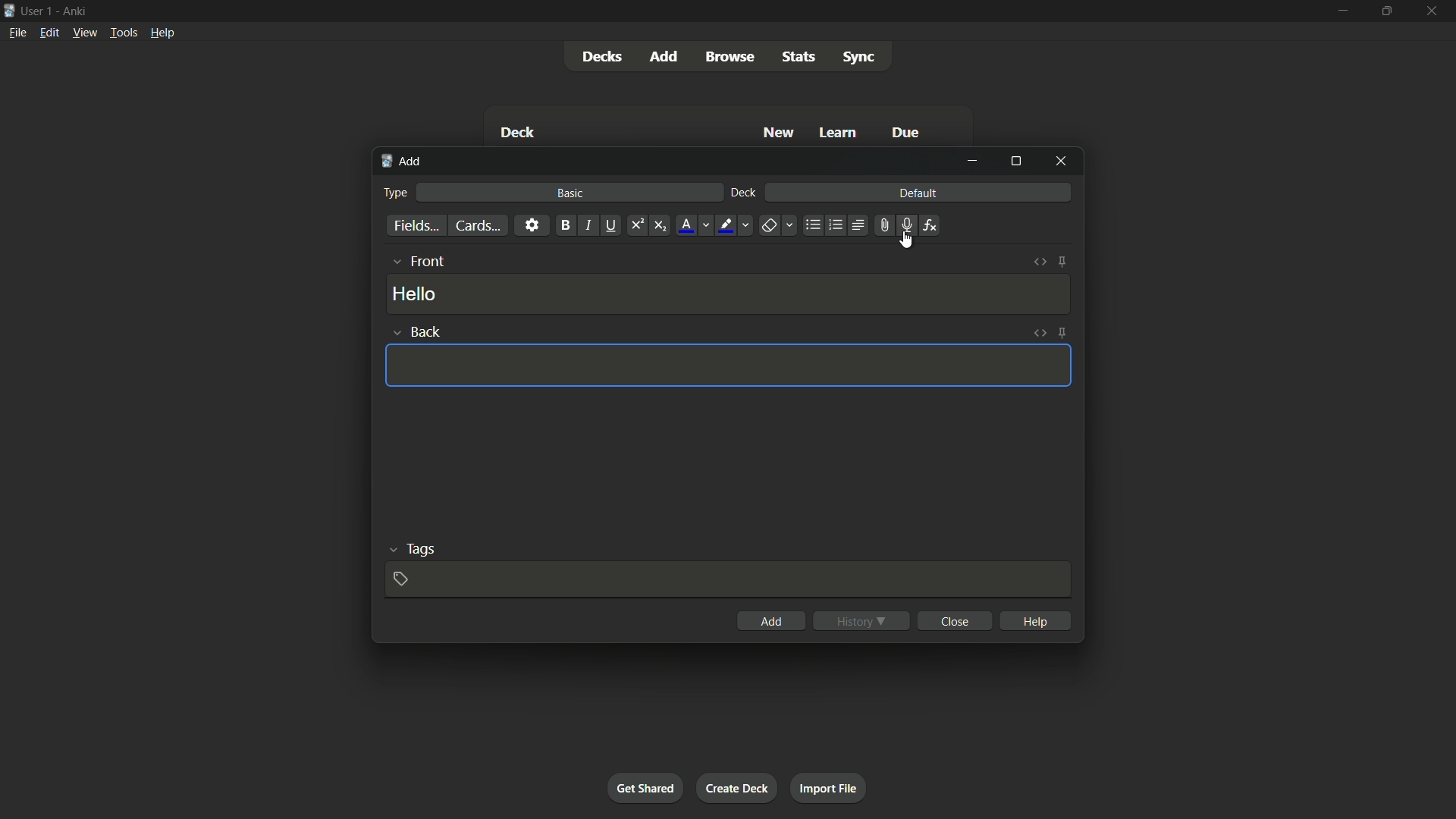 Image resolution: width=1456 pixels, height=819 pixels. I want to click on import file, so click(831, 787).